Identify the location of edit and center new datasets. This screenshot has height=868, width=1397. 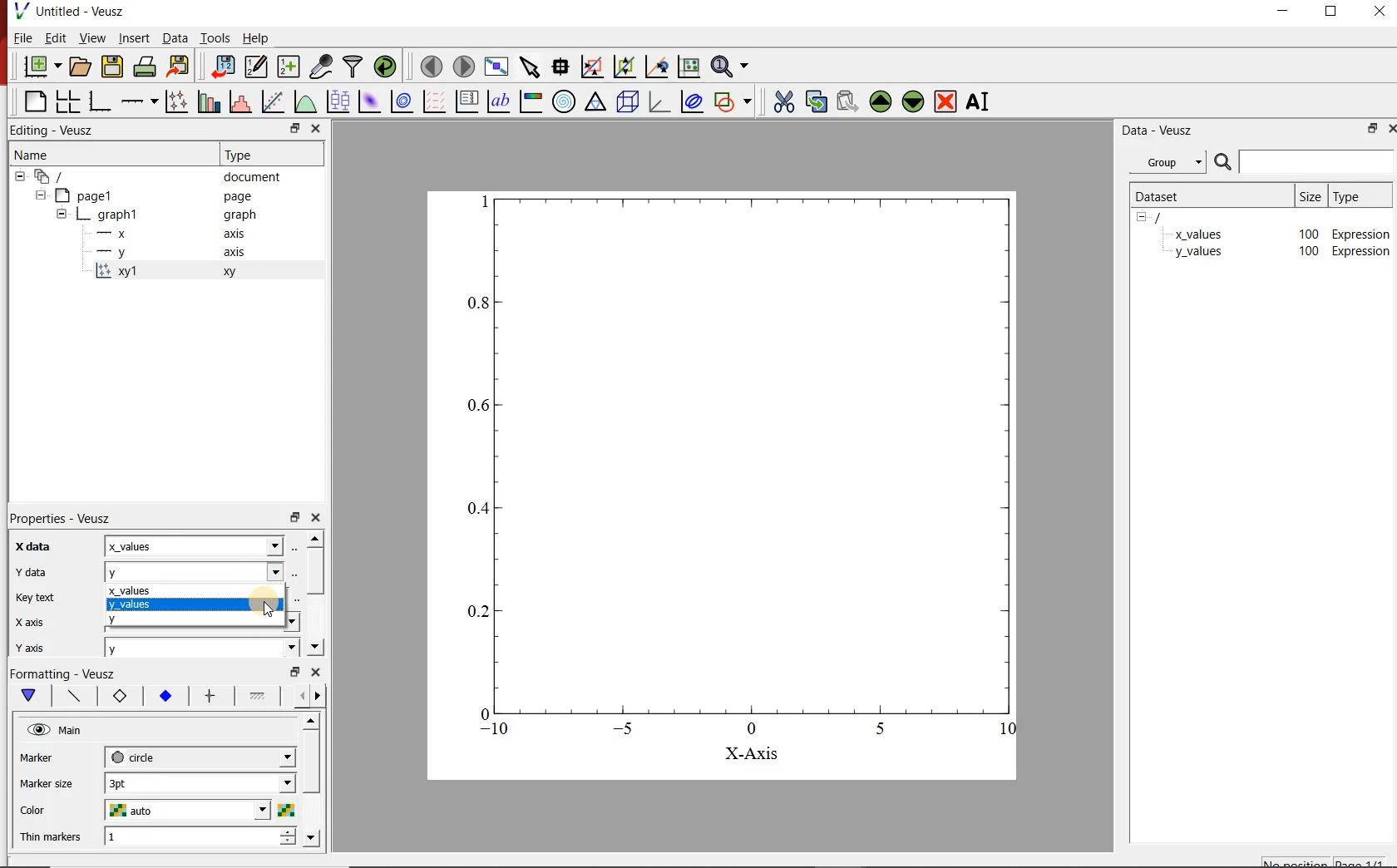
(258, 67).